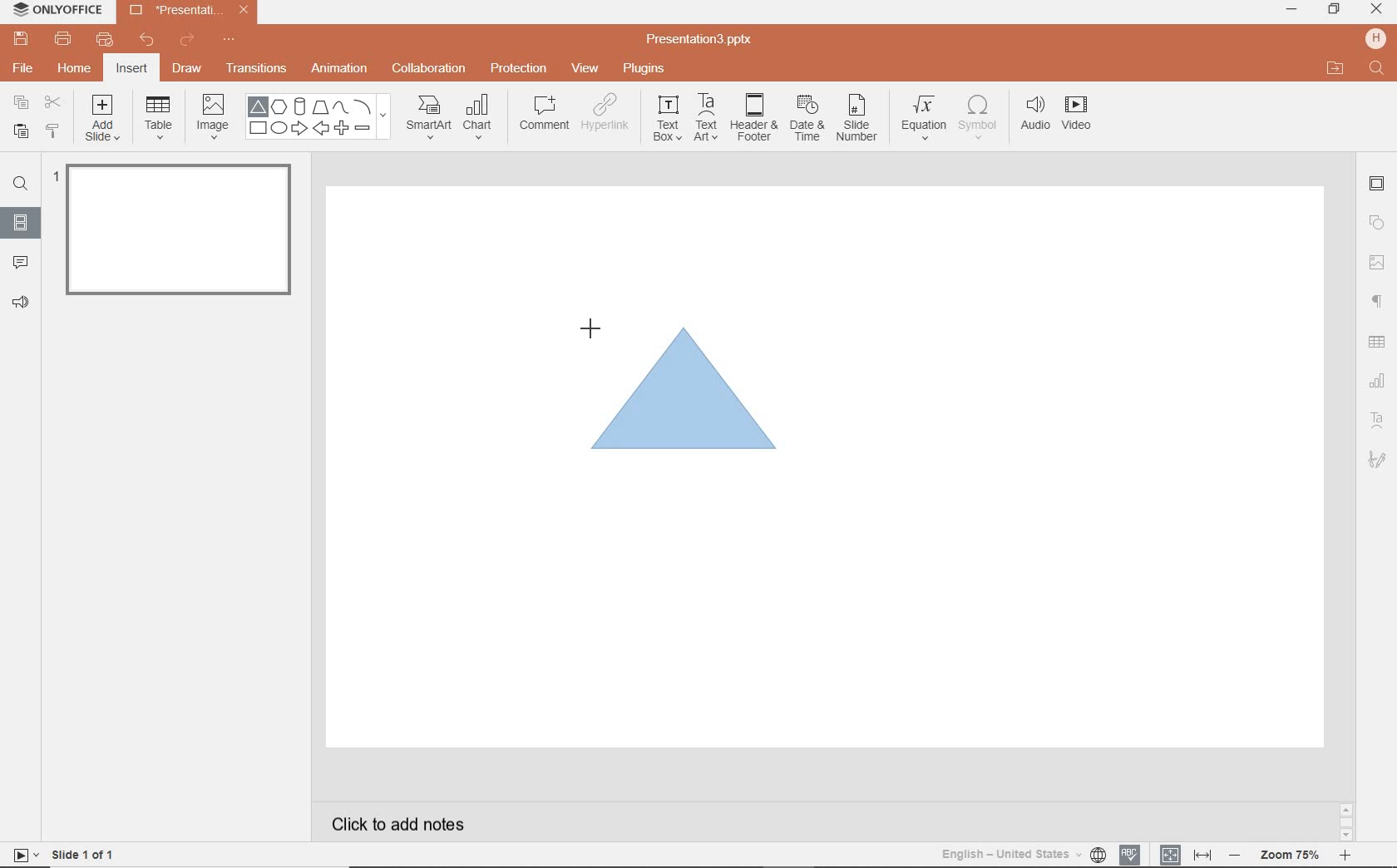  I want to click on PLUGINS, so click(646, 67).